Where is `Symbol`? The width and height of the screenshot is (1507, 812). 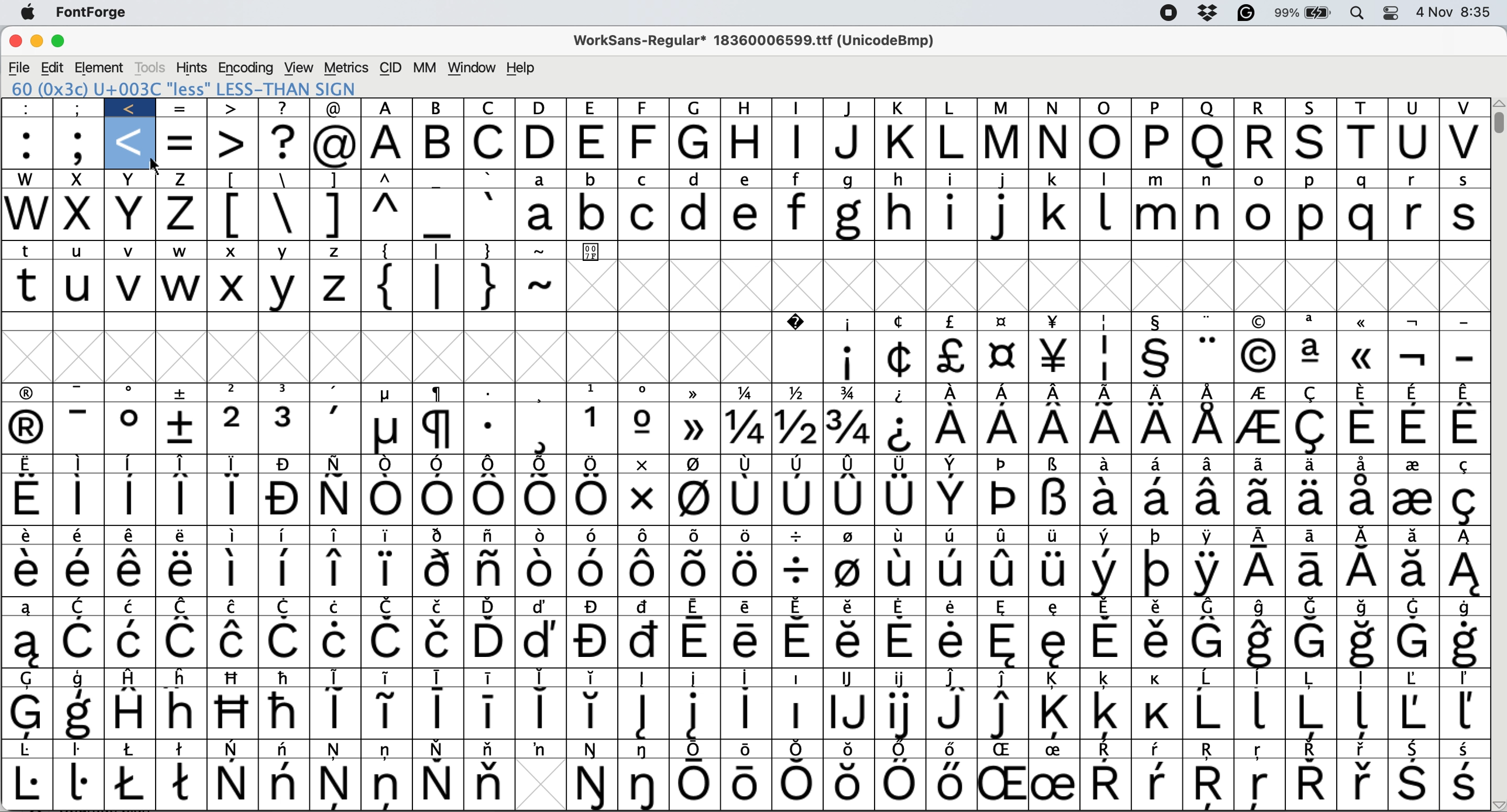
Symbol is located at coordinates (1210, 607).